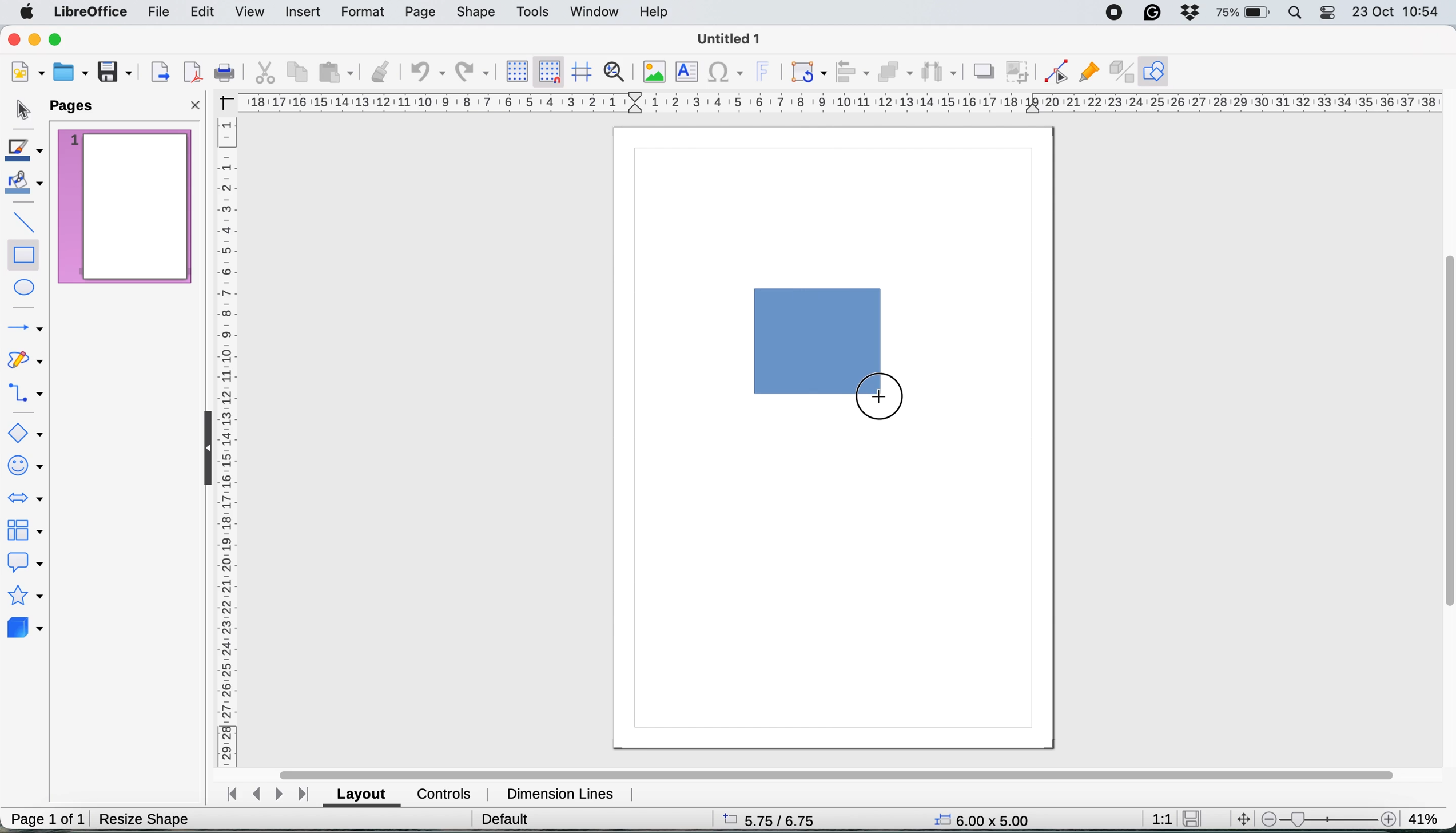 The width and height of the screenshot is (1456, 833). Describe the element at coordinates (27, 152) in the screenshot. I see `line color` at that location.